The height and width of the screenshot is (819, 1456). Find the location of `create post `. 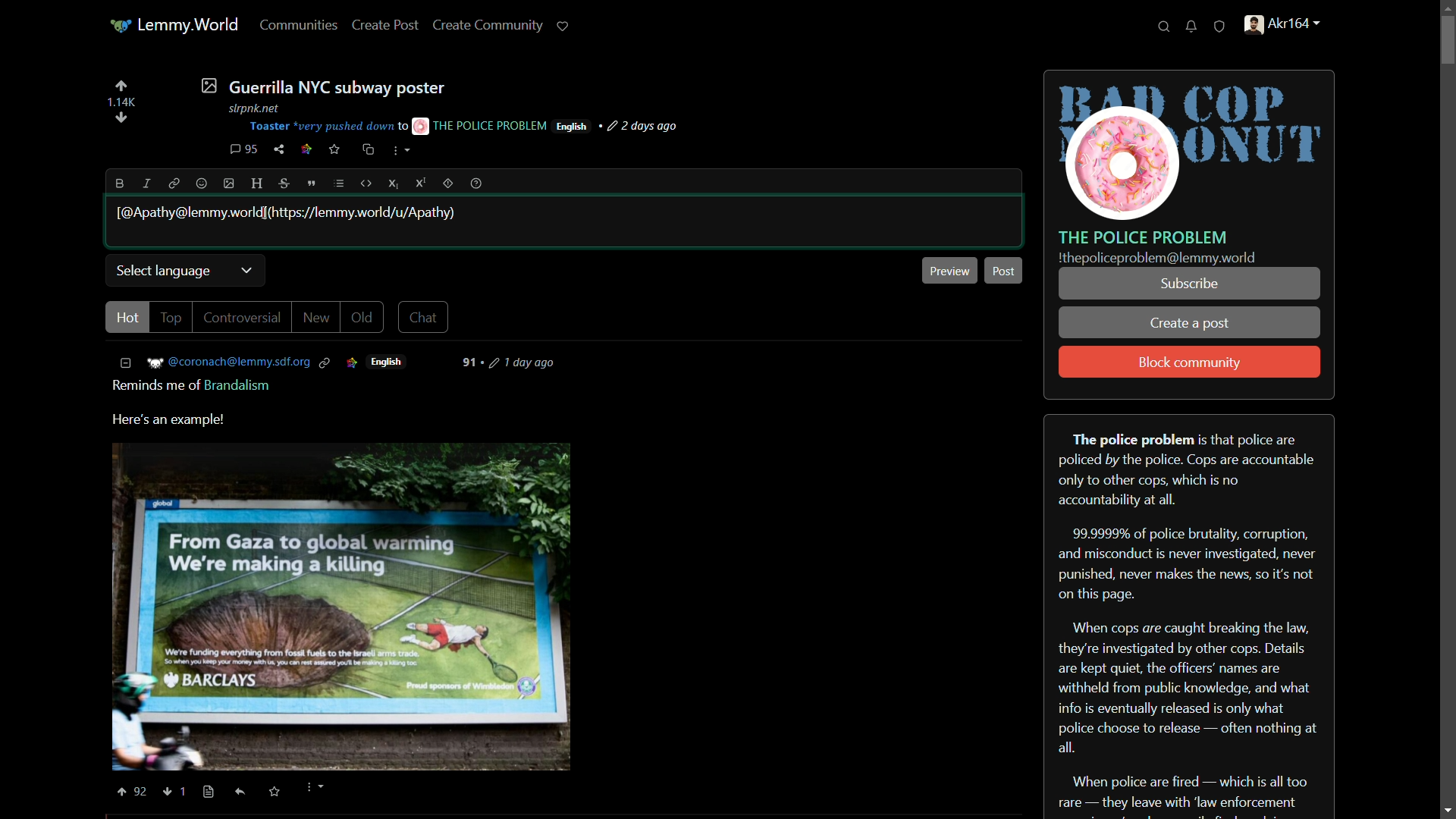

create post  is located at coordinates (386, 26).